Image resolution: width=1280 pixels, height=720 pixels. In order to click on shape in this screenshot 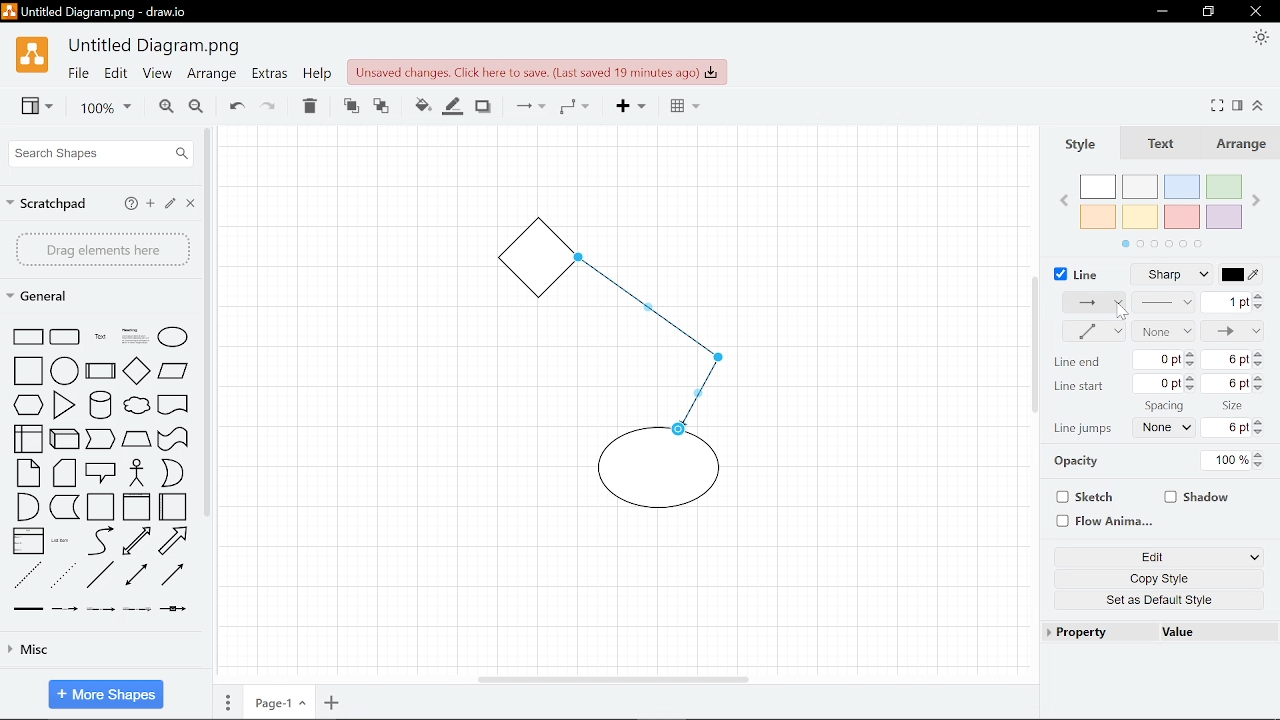, I will do `click(24, 371)`.